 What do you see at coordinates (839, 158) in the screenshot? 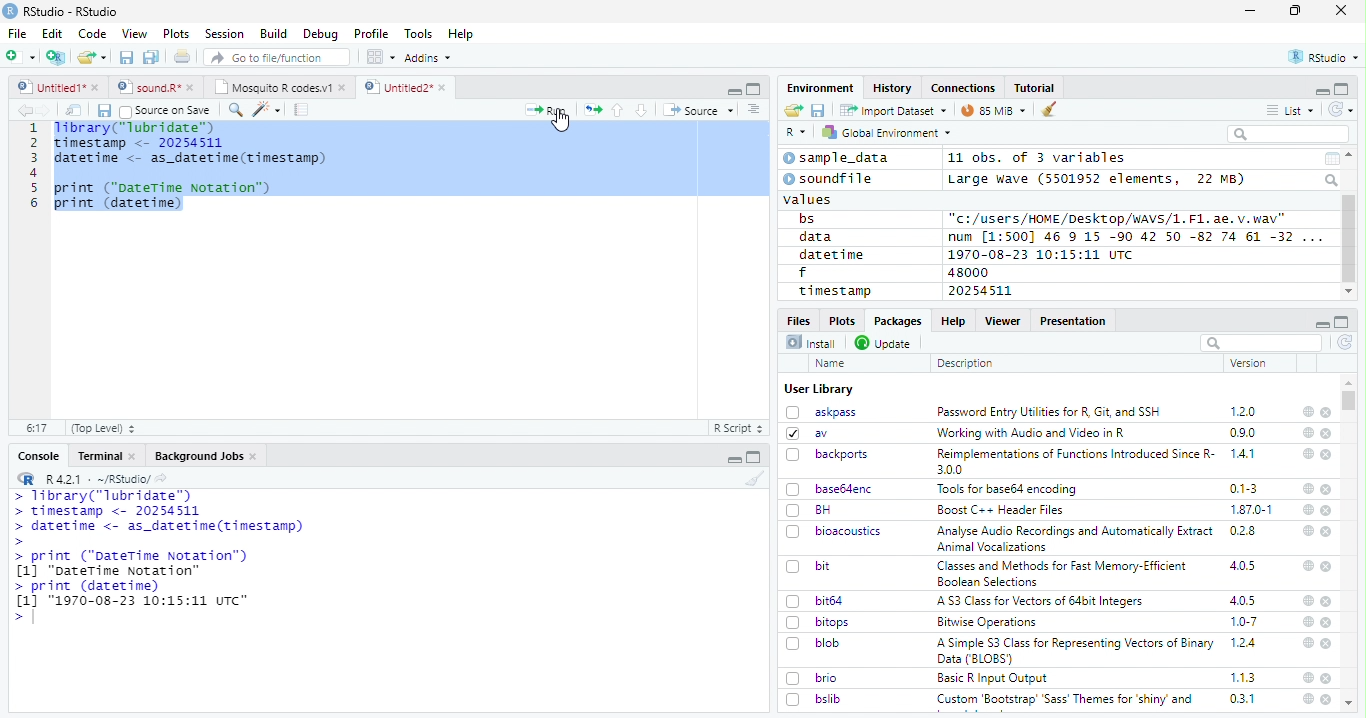
I see `sample_data` at bounding box center [839, 158].